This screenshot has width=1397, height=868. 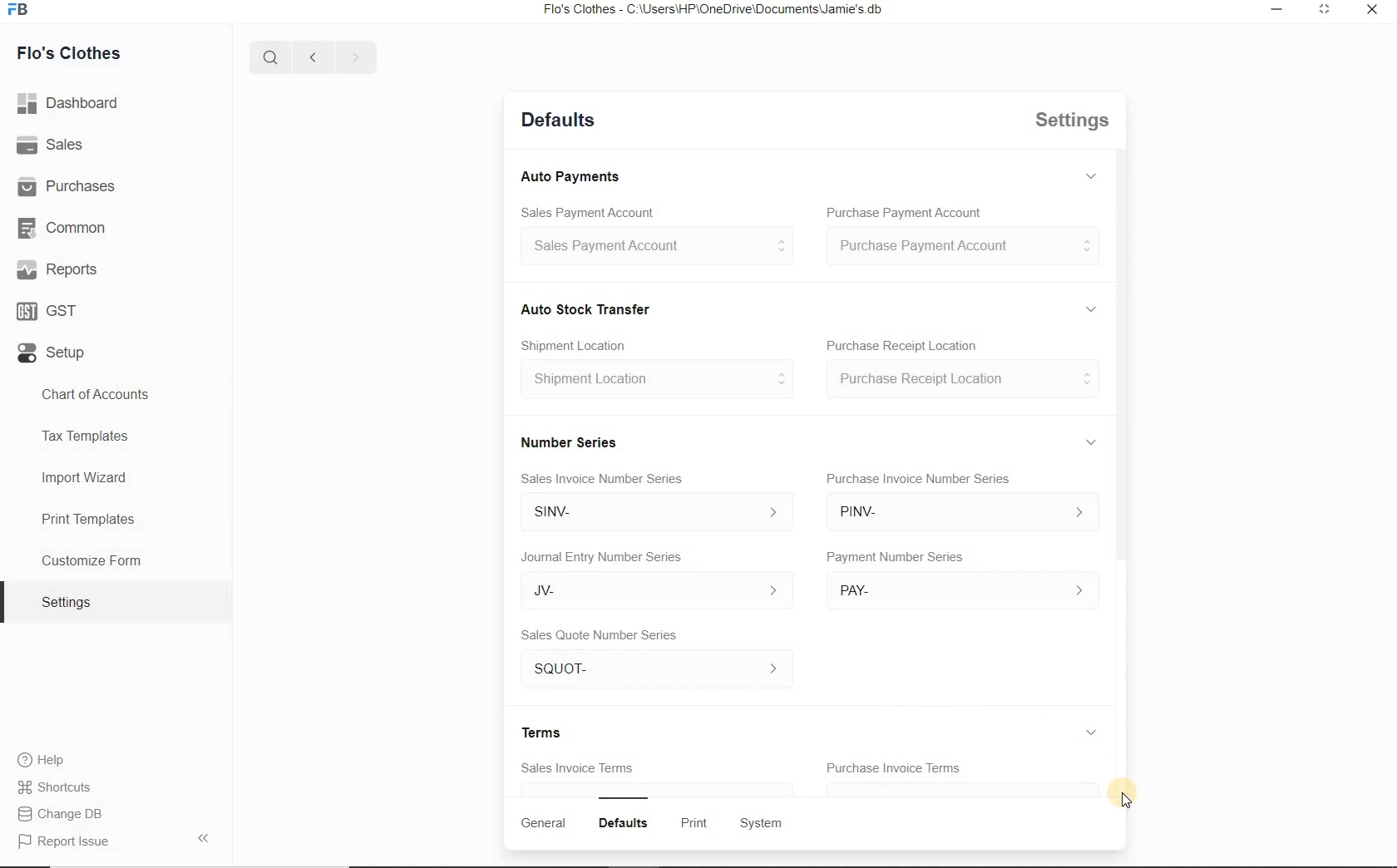 What do you see at coordinates (903, 343) in the screenshot?
I see `Purchase Receipt Location` at bounding box center [903, 343].